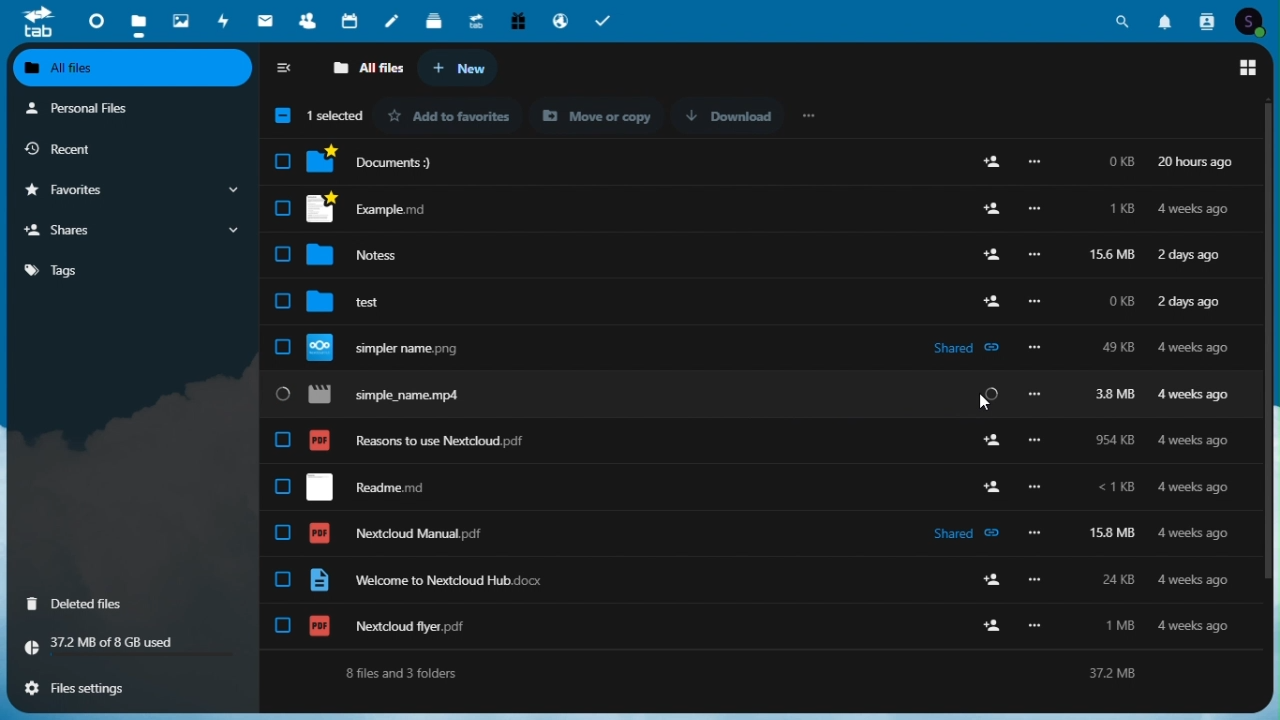 The image size is (1280, 720). What do you see at coordinates (754, 208) in the screenshot?
I see `Example` at bounding box center [754, 208].